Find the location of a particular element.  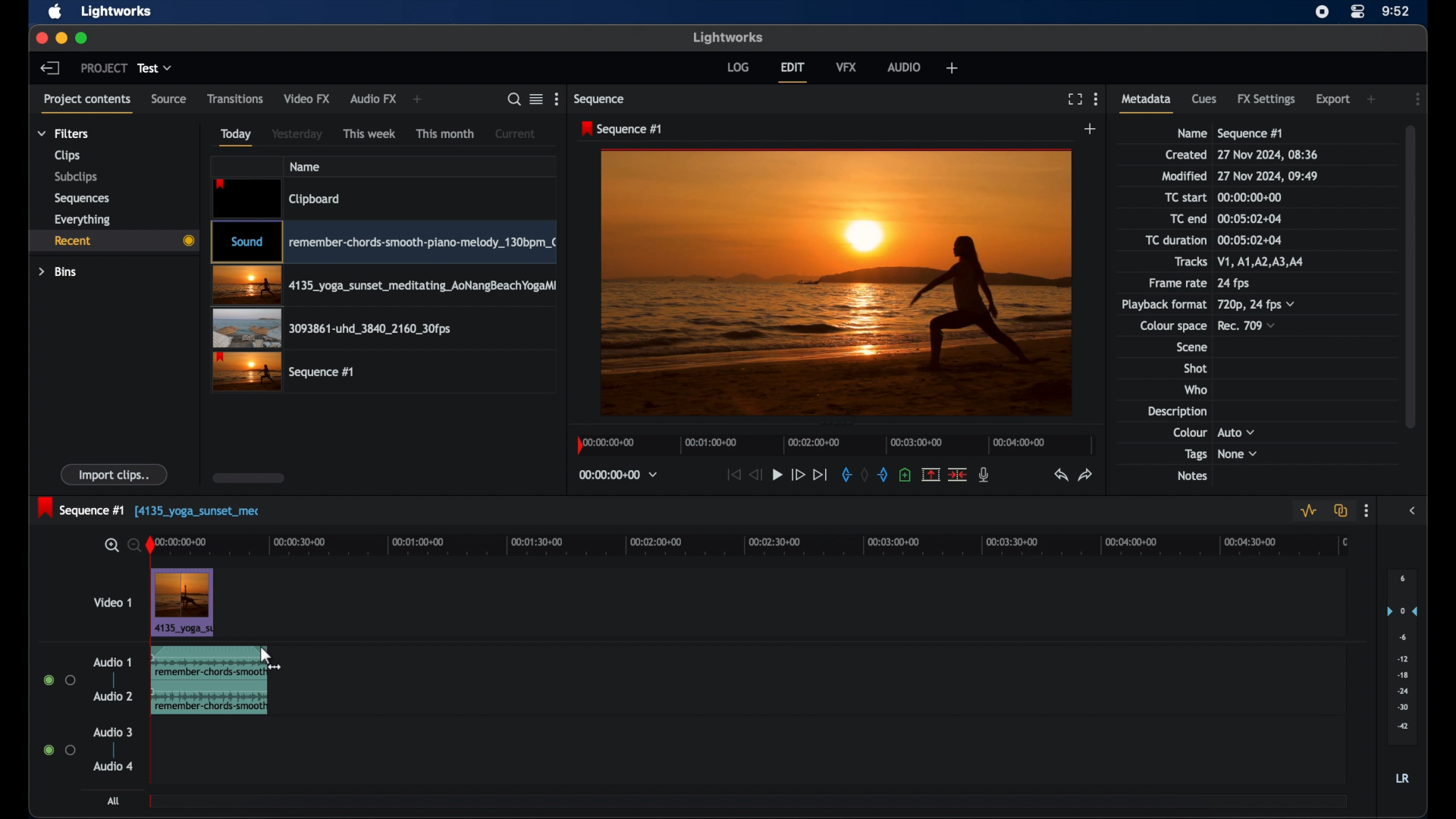

cursor is located at coordinates (274, 653).